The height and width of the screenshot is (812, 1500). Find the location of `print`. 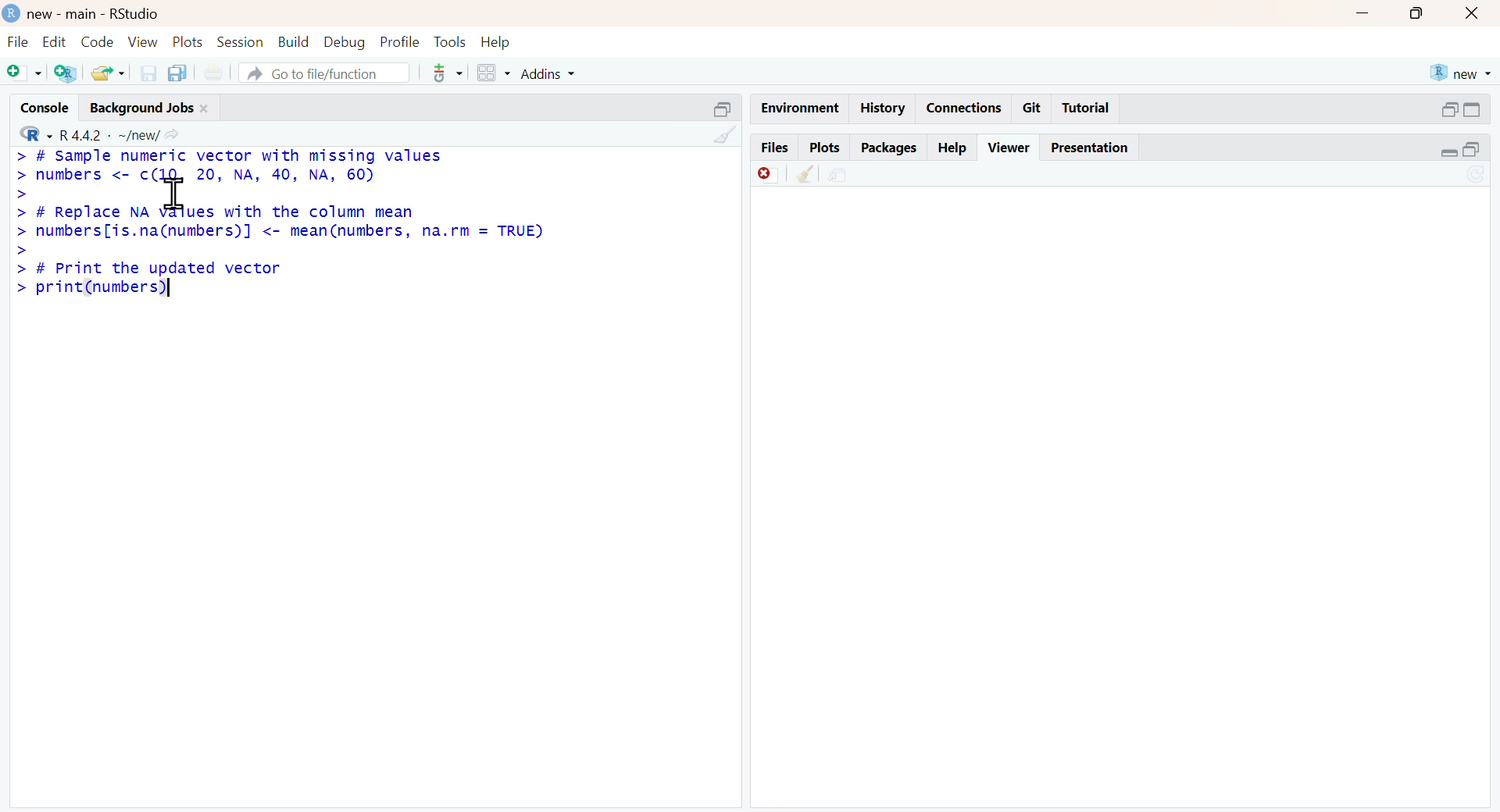

print is located at coordinates (214, 72).